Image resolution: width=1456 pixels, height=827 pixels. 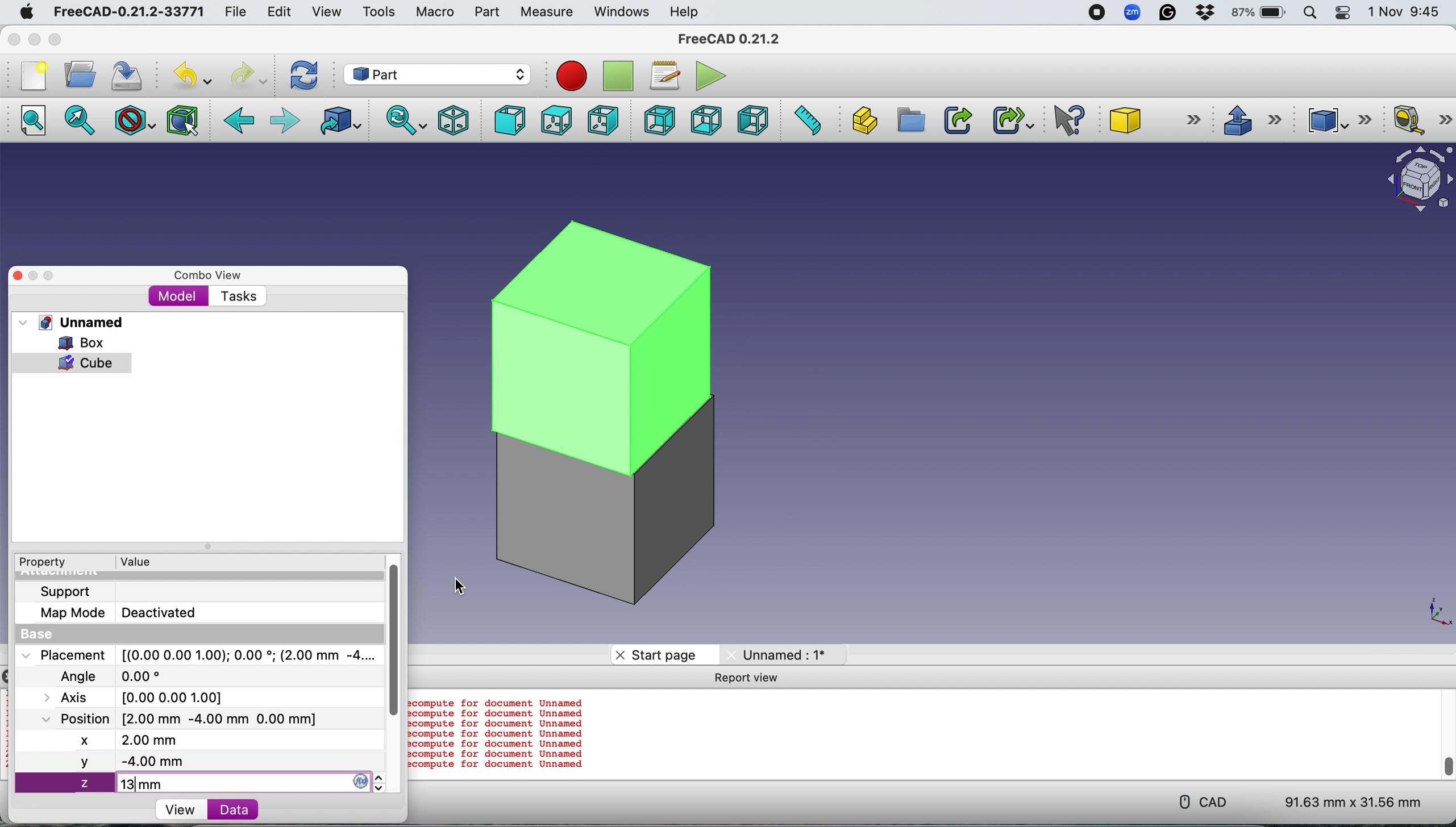 What do you see at coordinates (1313, 12) in the screenshot?
I see `Spotlight search` at bounding box center [1313, 12].